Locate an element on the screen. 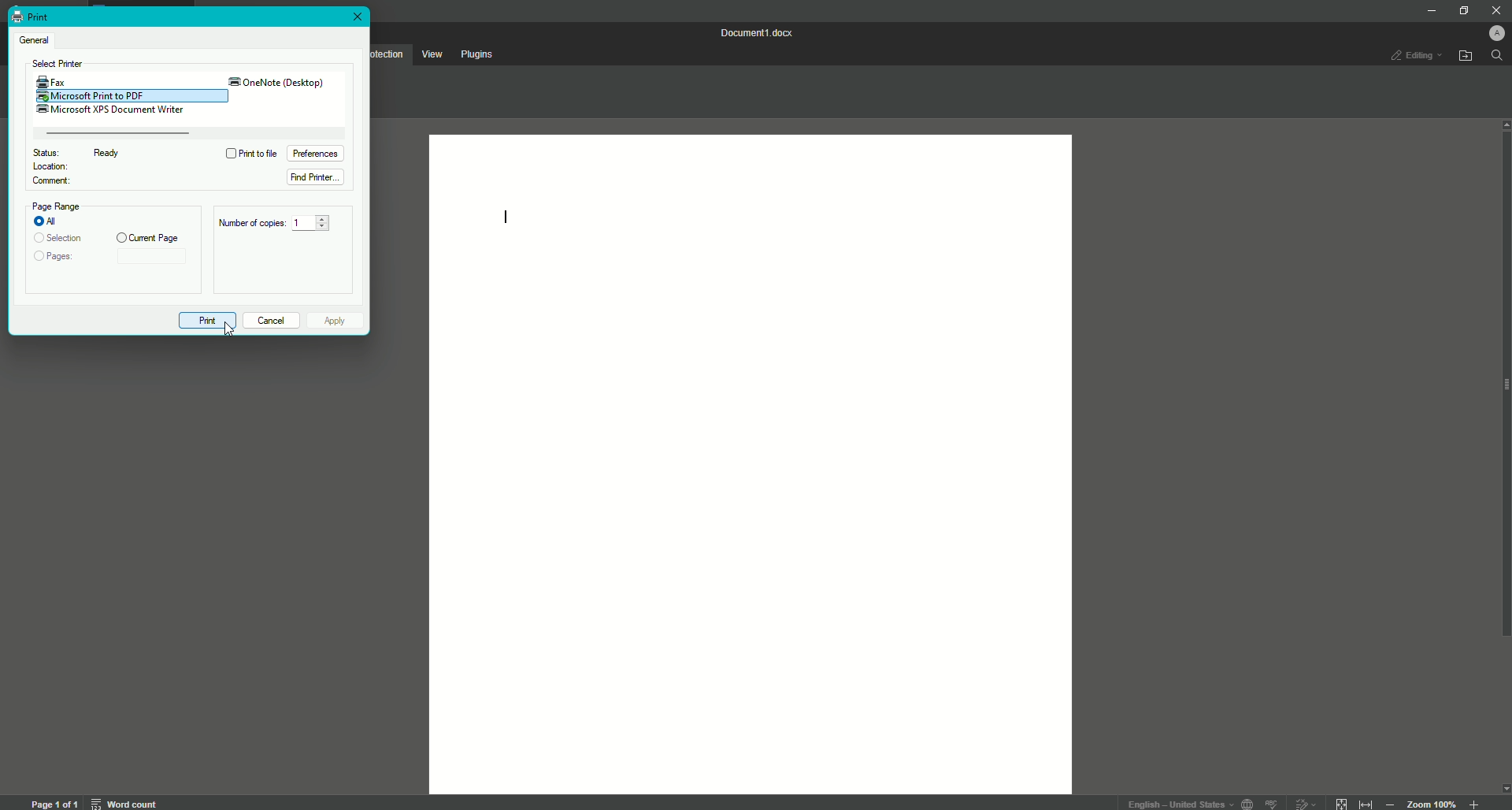 The image size is (1512, 810). Print to file is located at coordinates (251, 153).